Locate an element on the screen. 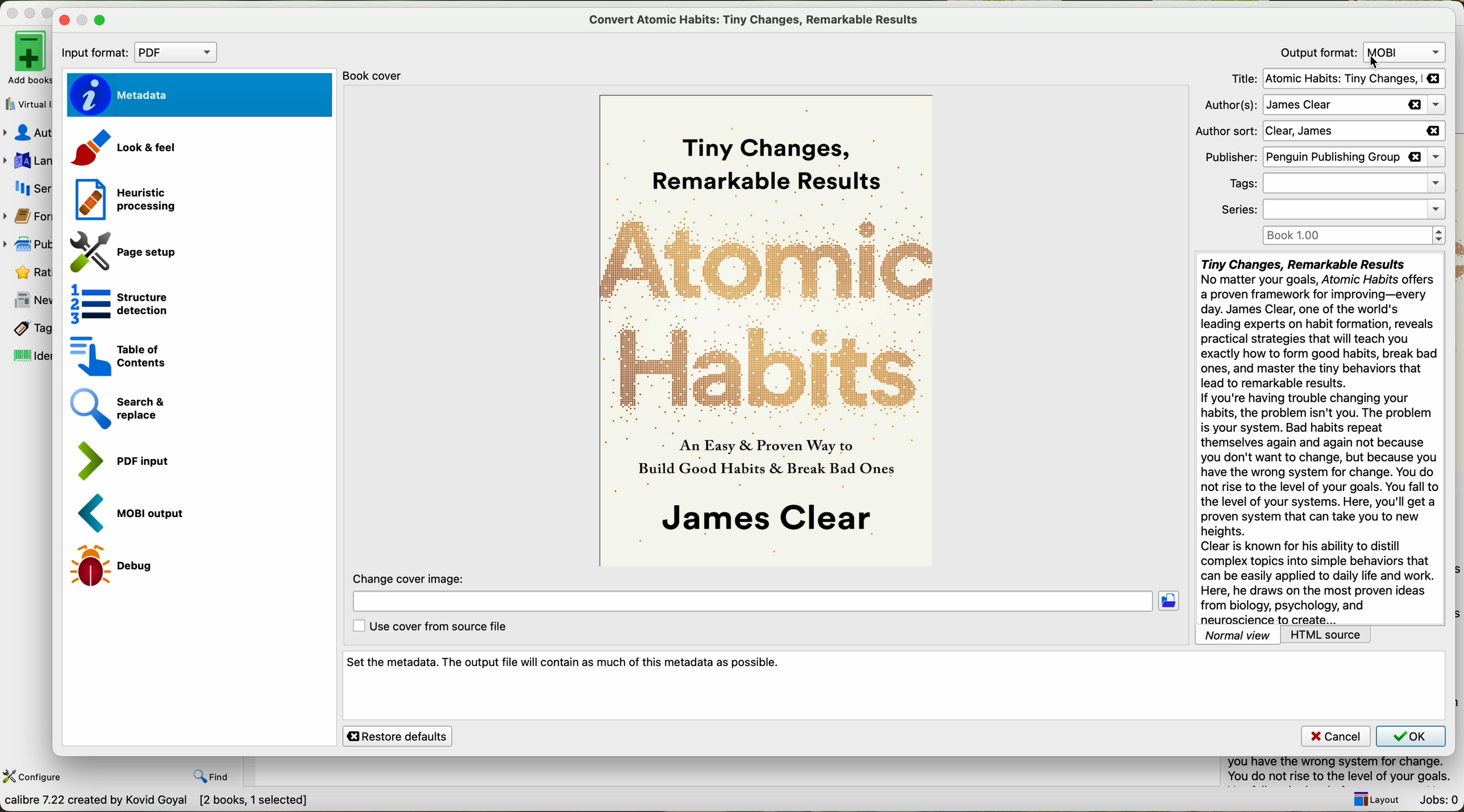  summary is located at coordinates (1345, 772).